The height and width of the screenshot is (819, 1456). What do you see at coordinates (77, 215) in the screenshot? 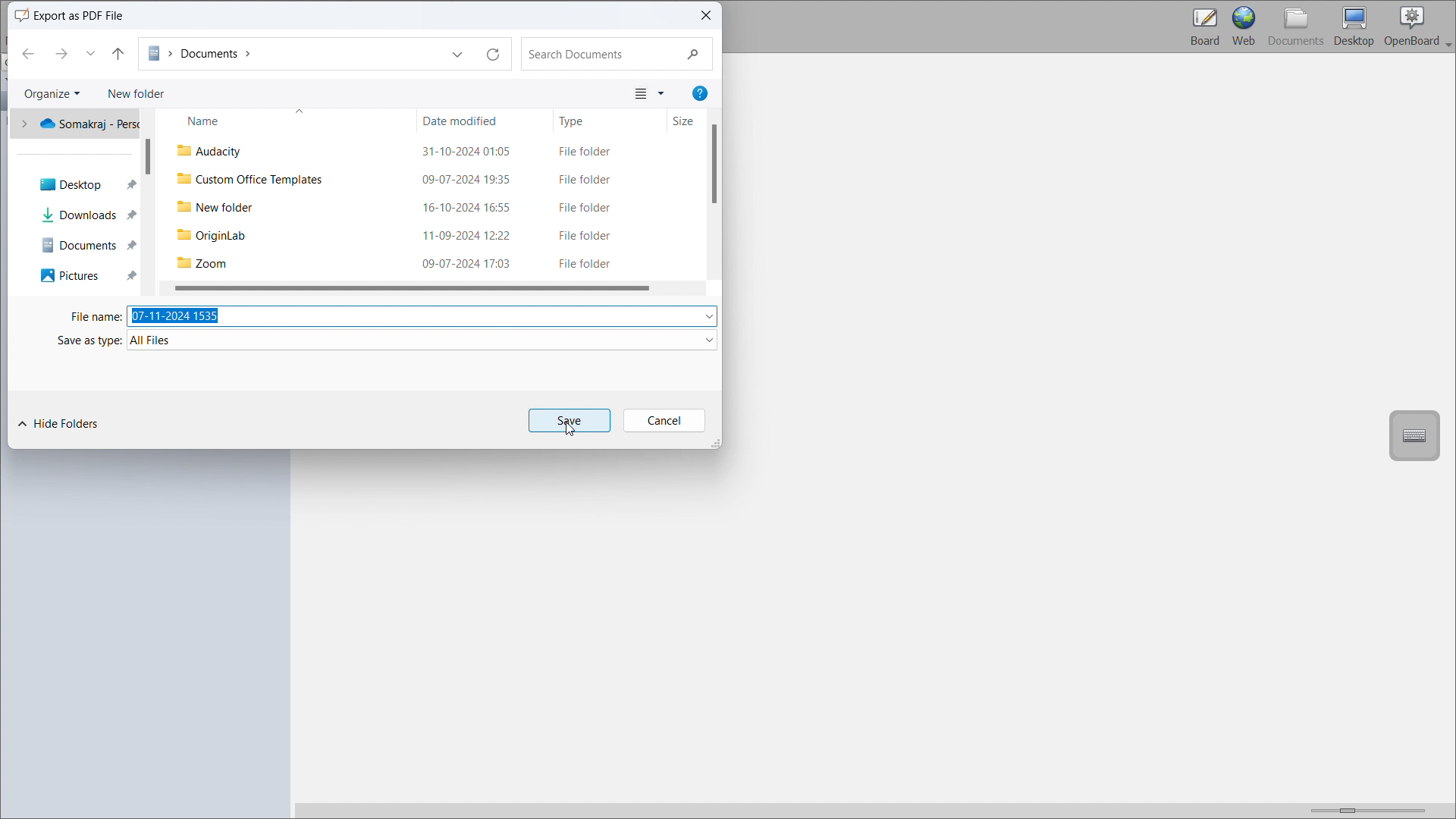
I see `Downloads` at bounding box center [77, 215].